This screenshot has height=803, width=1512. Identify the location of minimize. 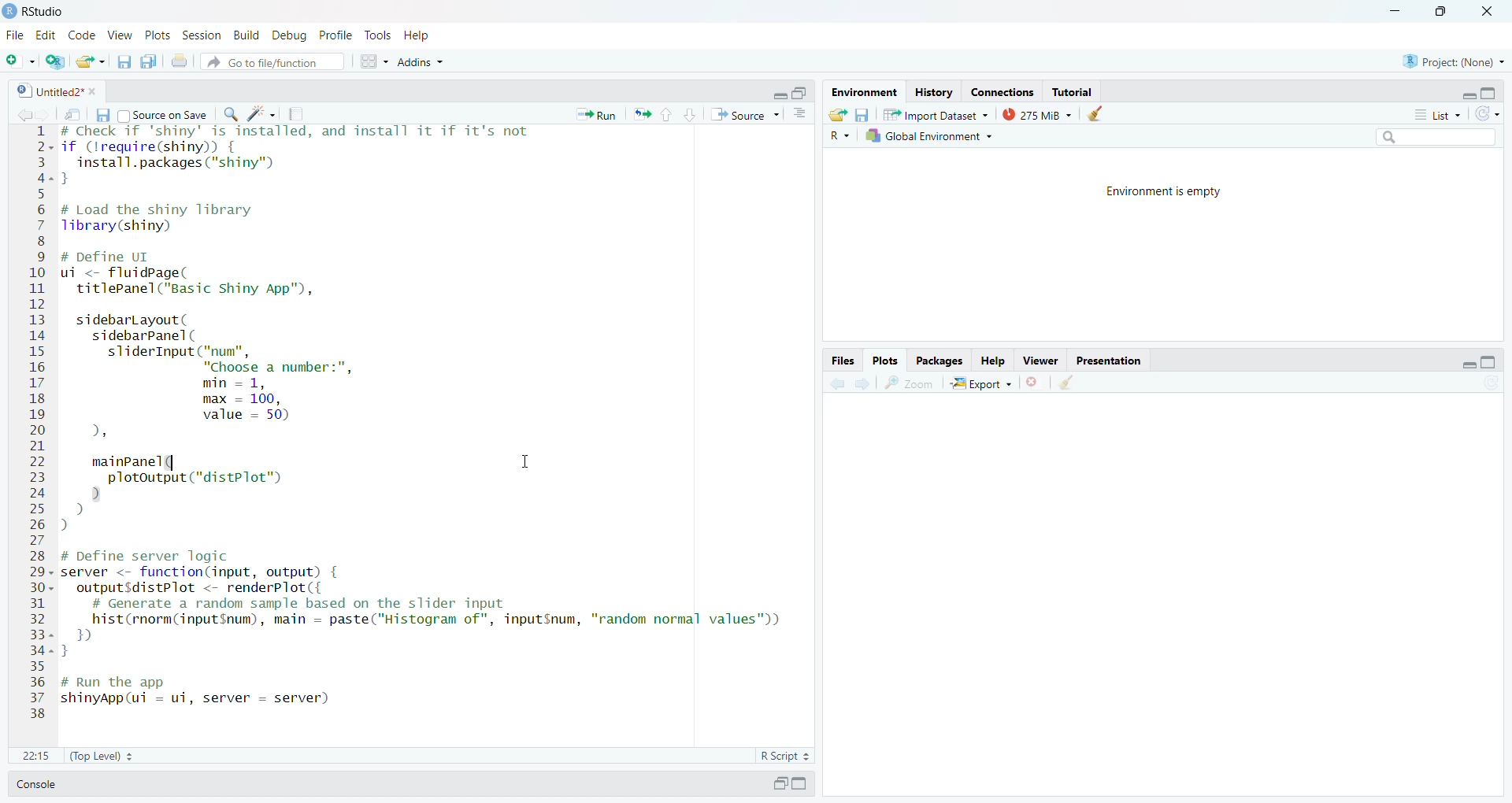
(1469, 96).